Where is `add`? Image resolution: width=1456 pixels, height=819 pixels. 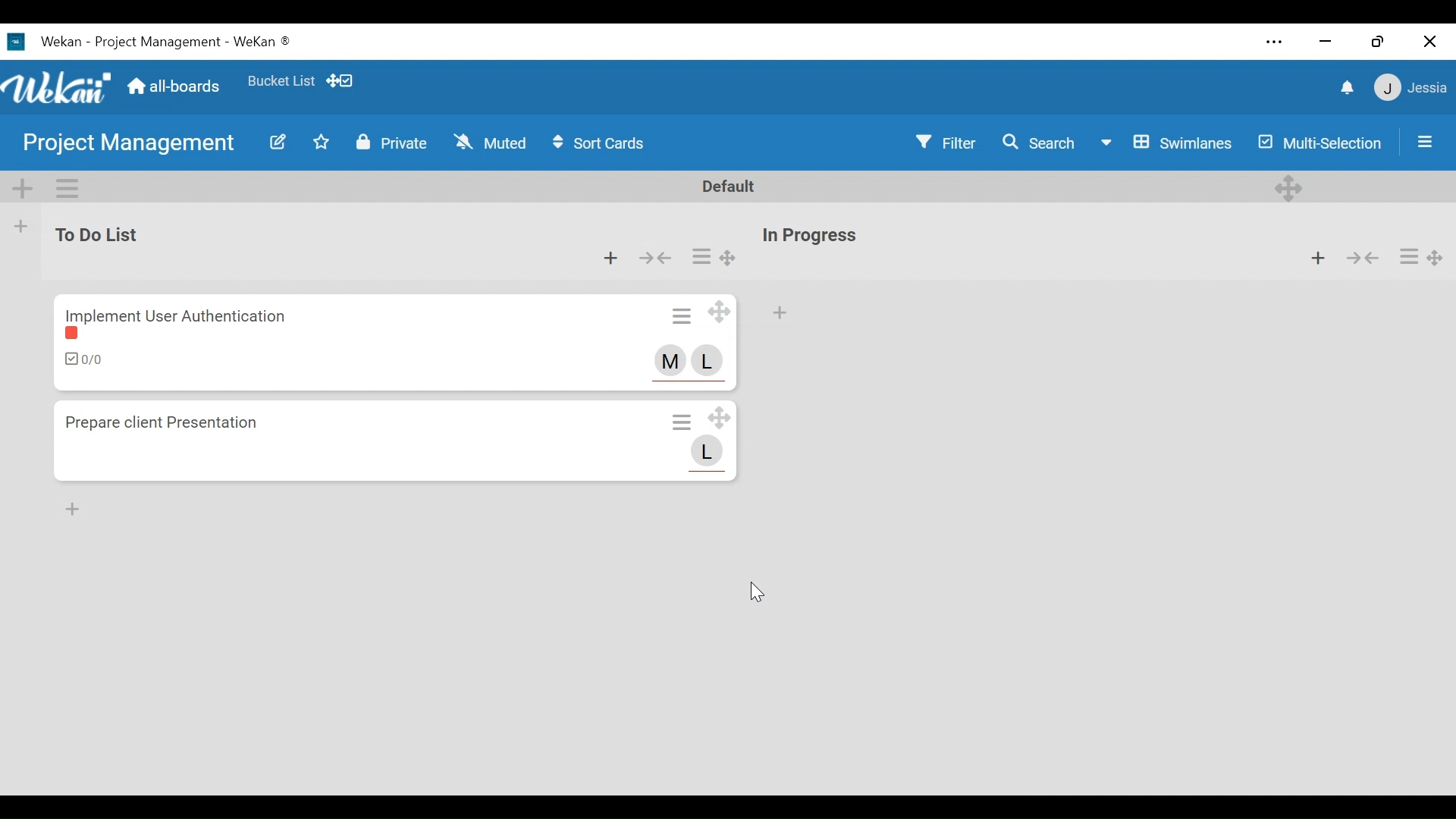 add is located at coordinates (793, 318).